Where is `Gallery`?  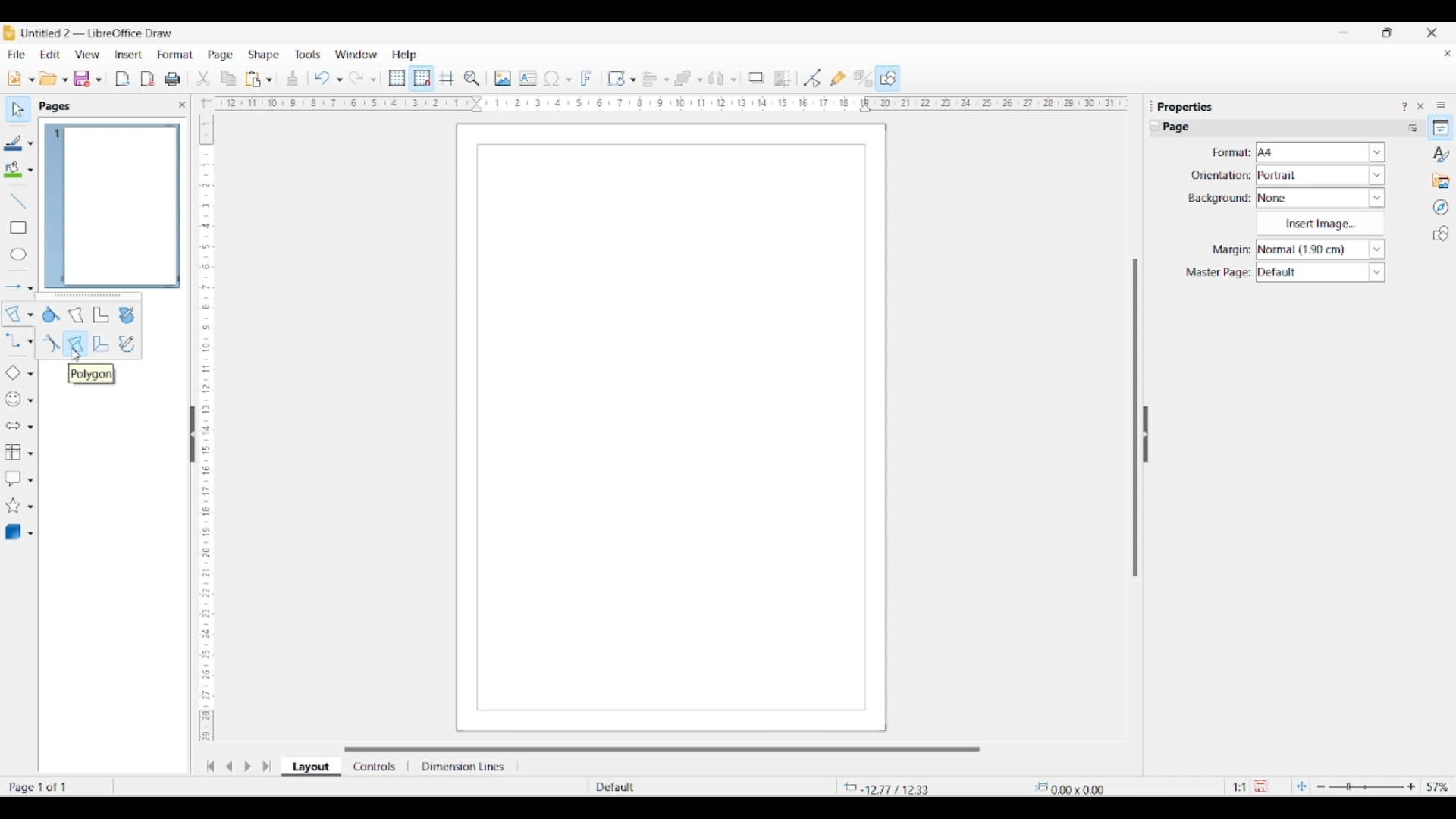
Gallery is located at coordinates (1441, 180).